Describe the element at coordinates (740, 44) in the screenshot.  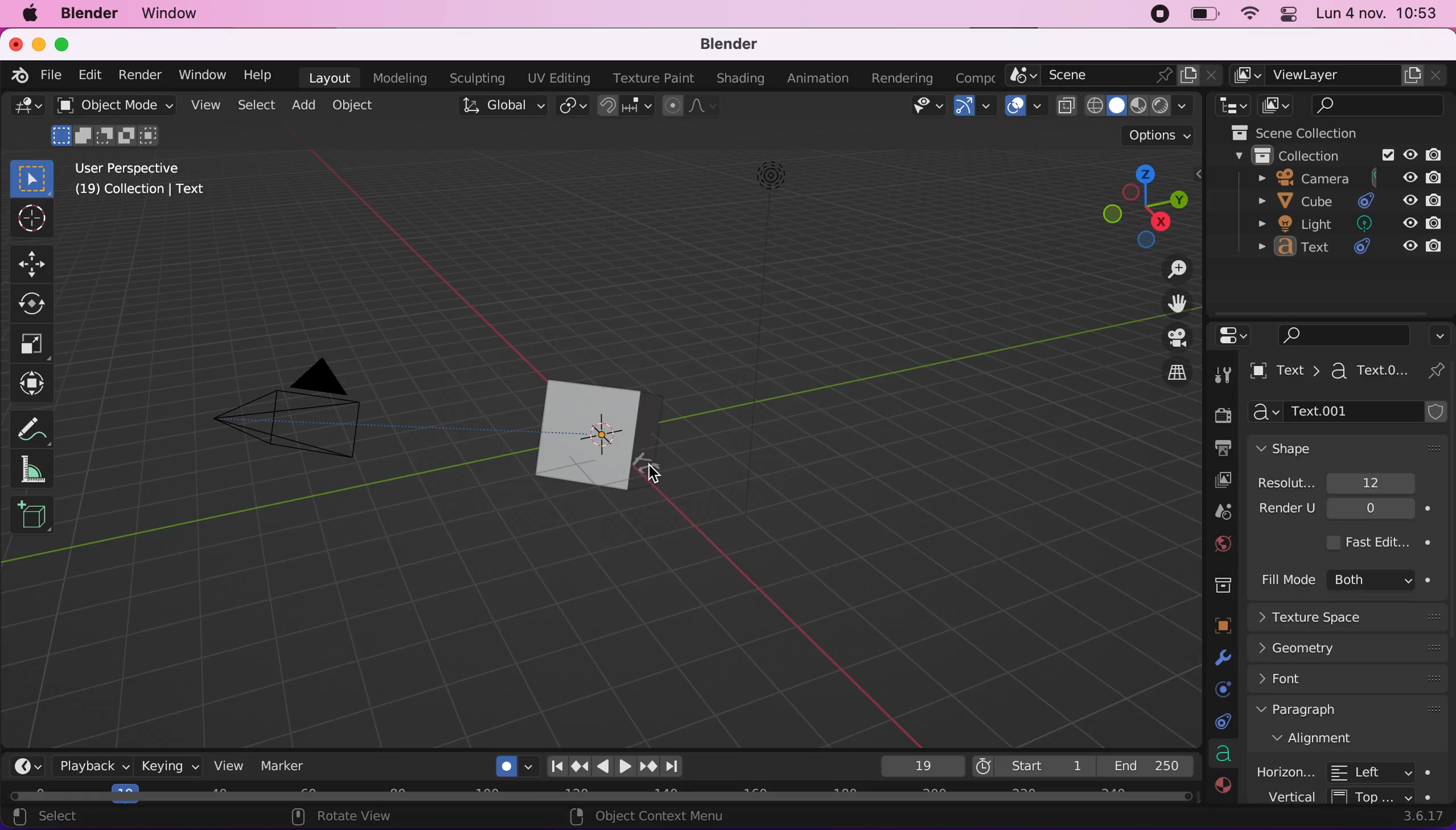
I see `blender` at that location.